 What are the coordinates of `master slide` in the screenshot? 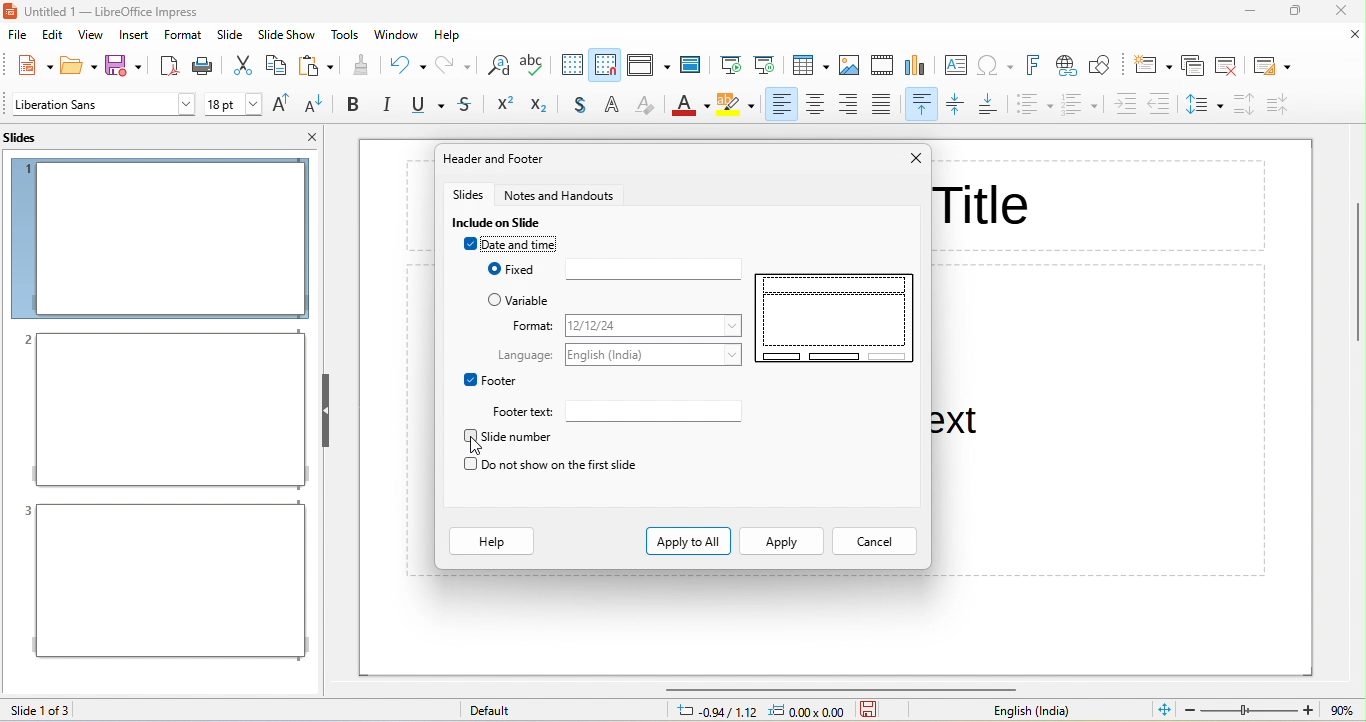 It's located at (695, 64).